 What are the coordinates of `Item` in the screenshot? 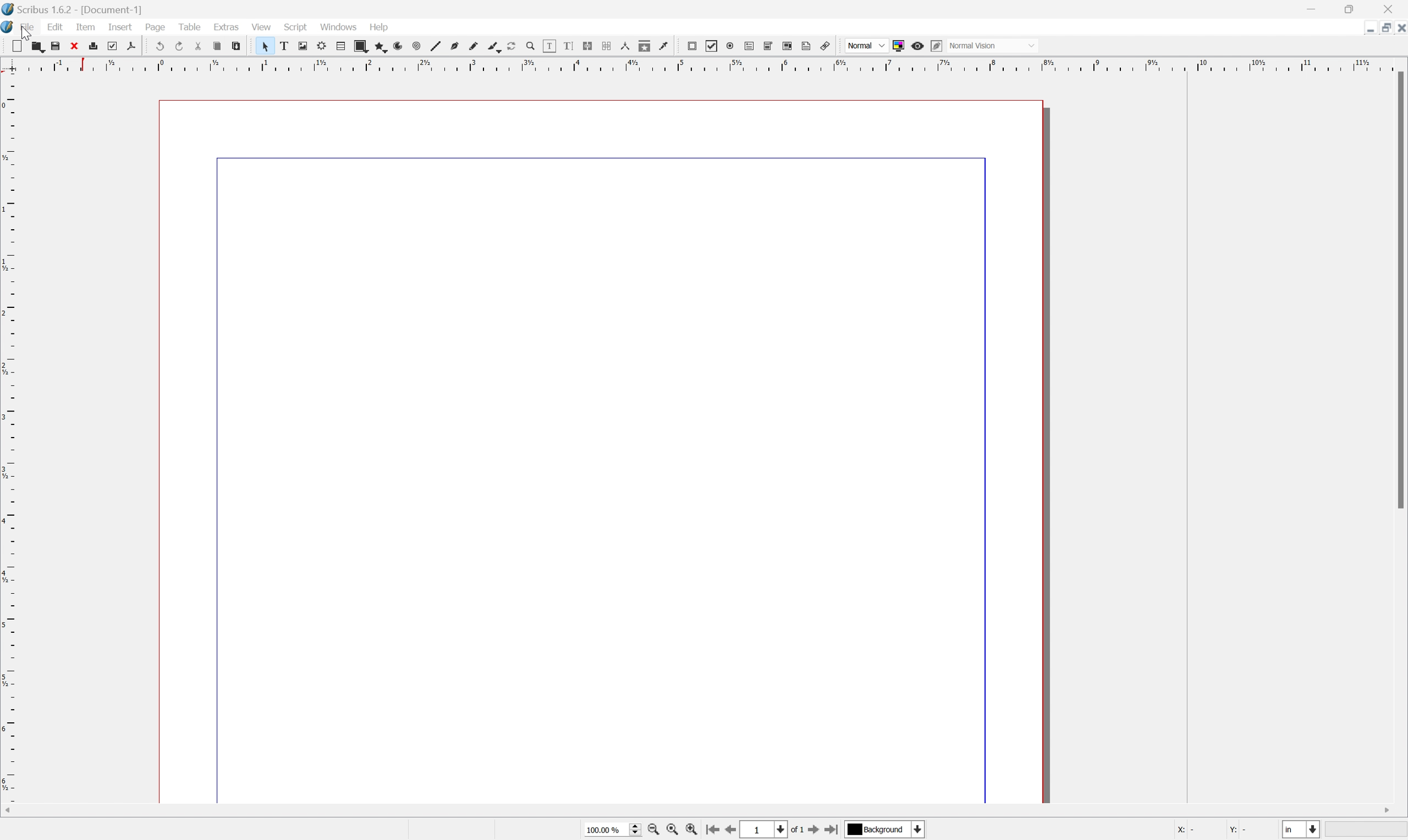 It's located at (89, 27).